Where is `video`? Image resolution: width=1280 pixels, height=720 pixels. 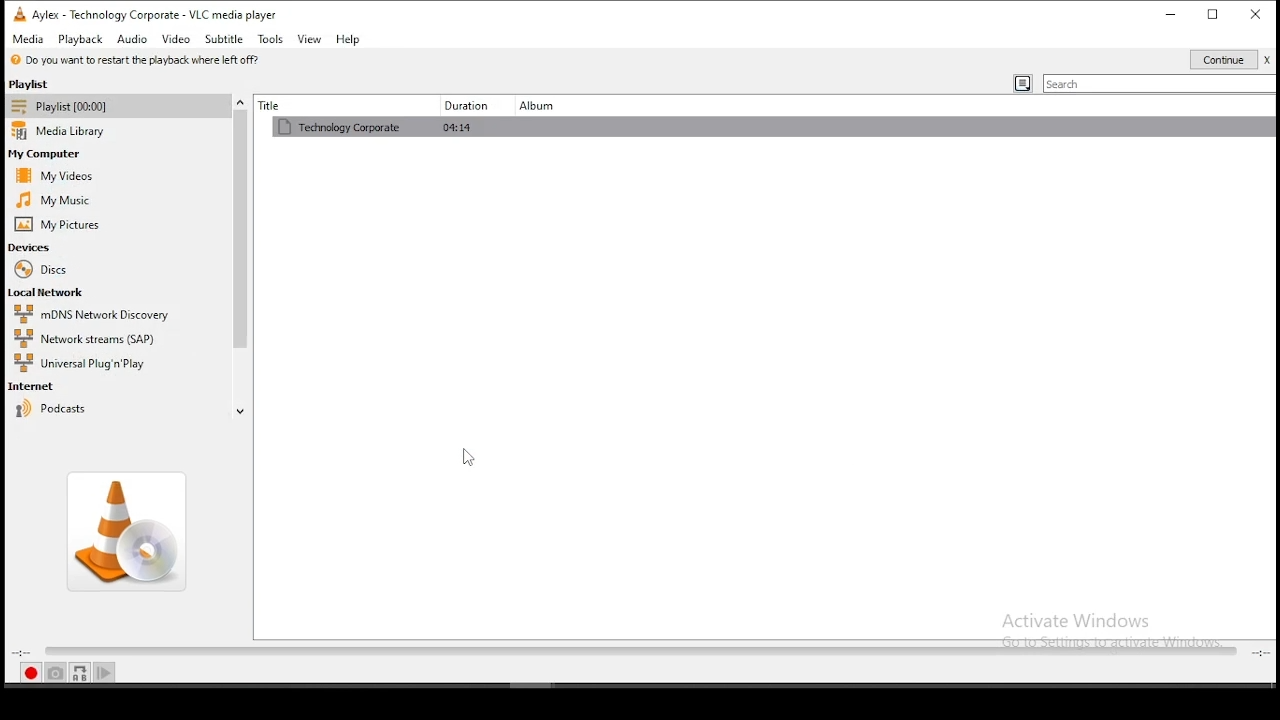
video is located at coordinates (177, 40).